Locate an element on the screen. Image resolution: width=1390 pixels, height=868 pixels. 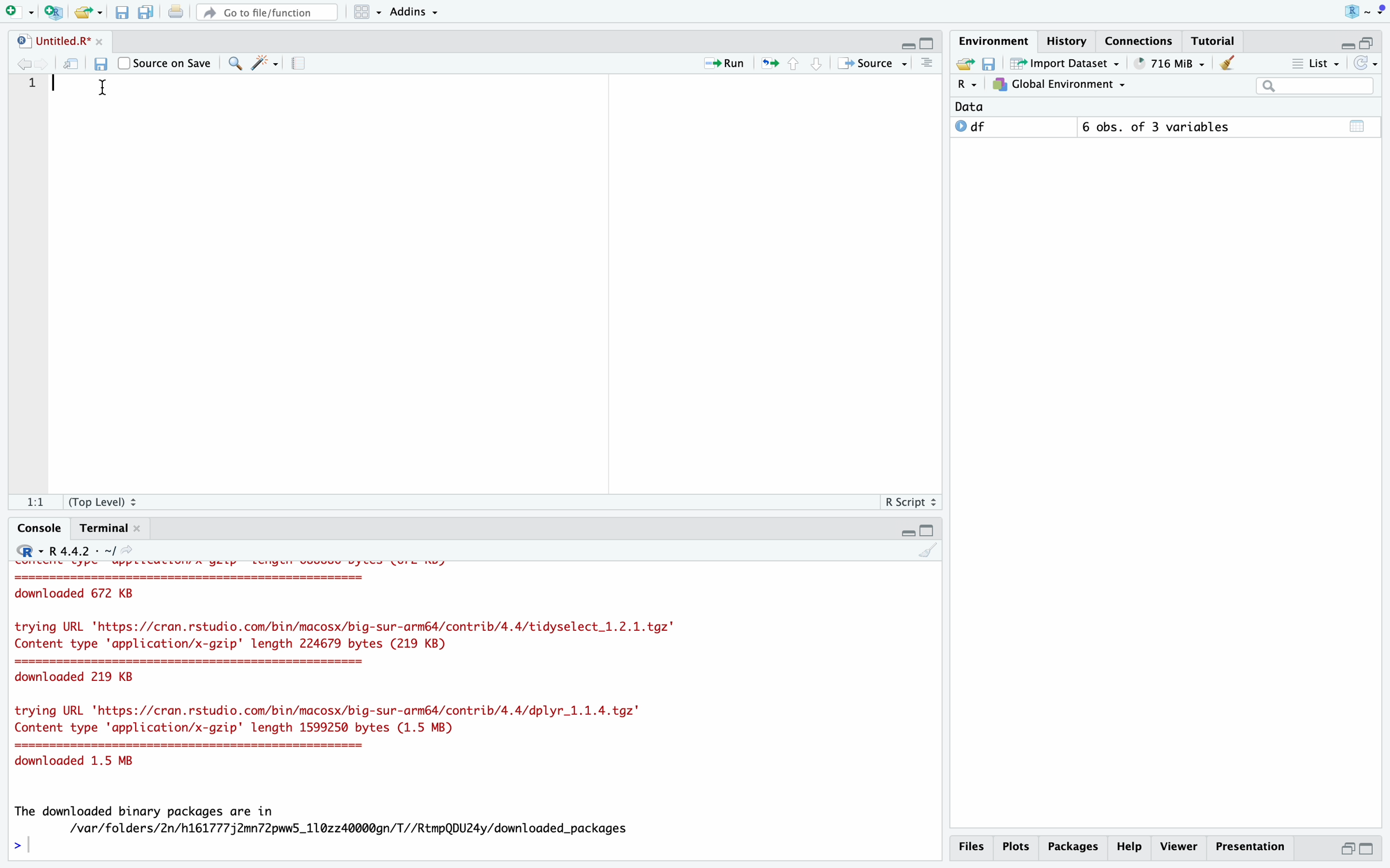
Save is located at coordinates (102, 64).